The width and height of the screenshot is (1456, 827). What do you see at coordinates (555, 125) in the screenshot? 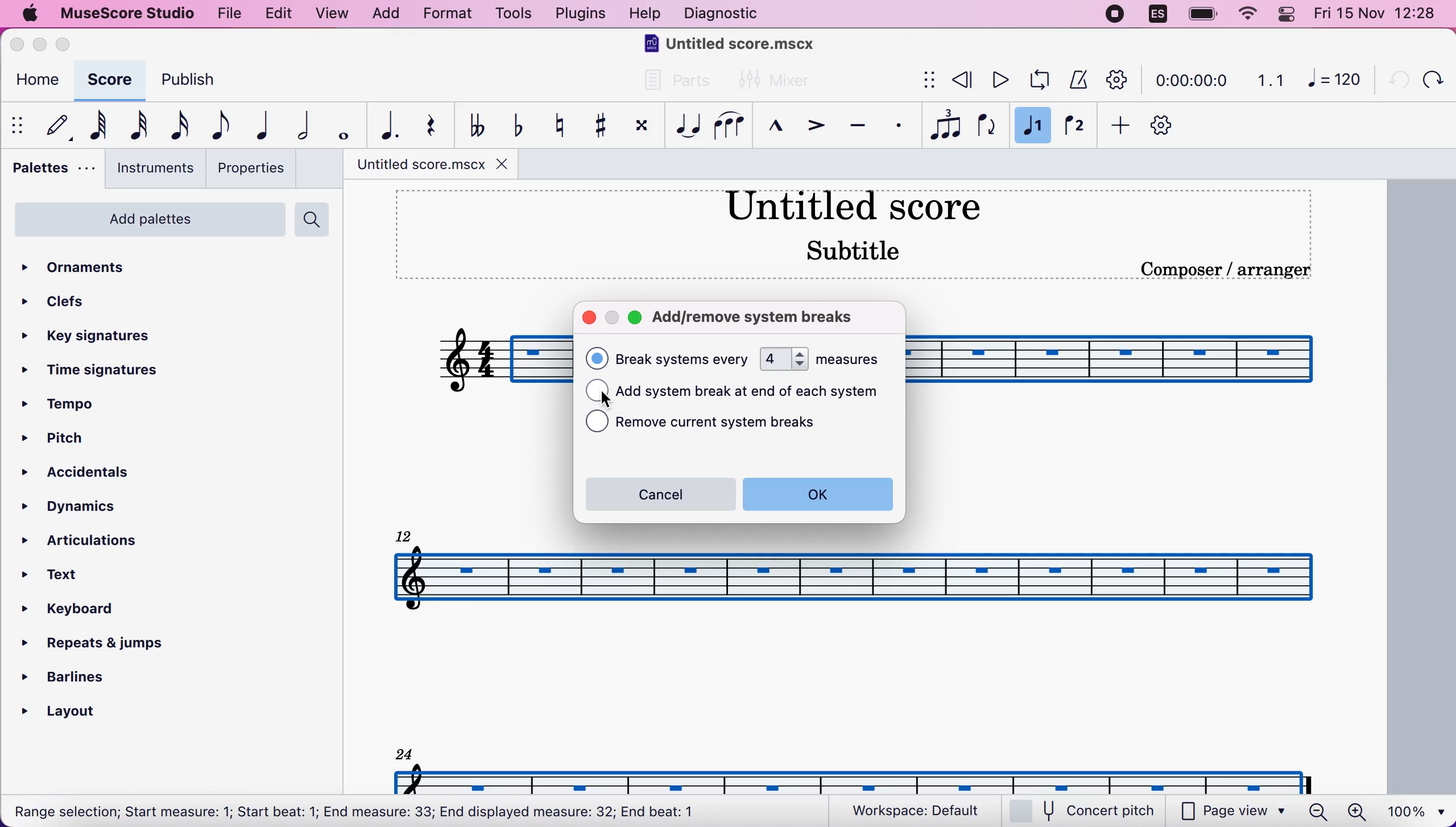
I see `toggle natural` at bounding box center [555, 125].